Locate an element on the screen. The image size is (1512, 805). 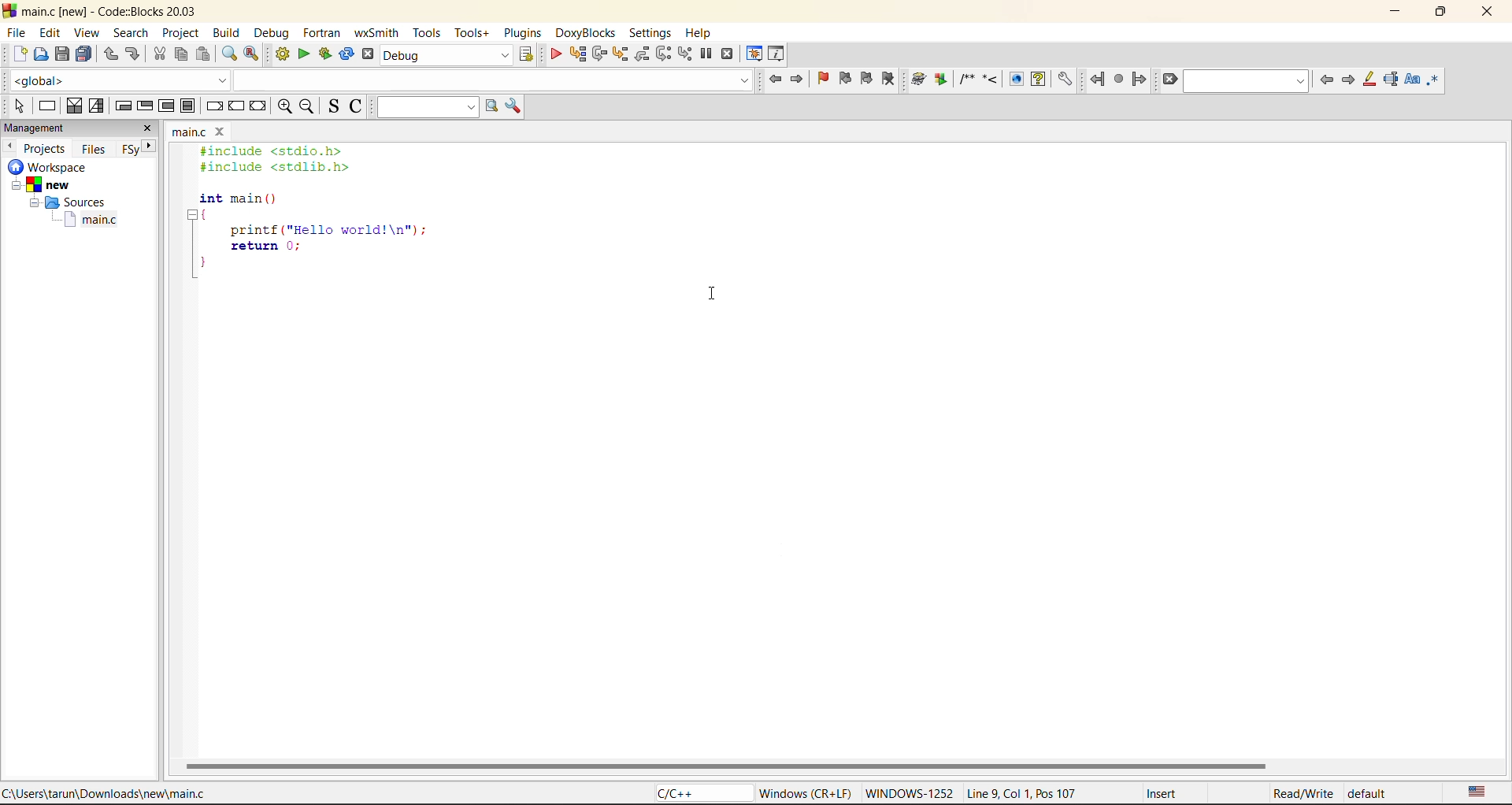
search is located at coordinates (132, 33).